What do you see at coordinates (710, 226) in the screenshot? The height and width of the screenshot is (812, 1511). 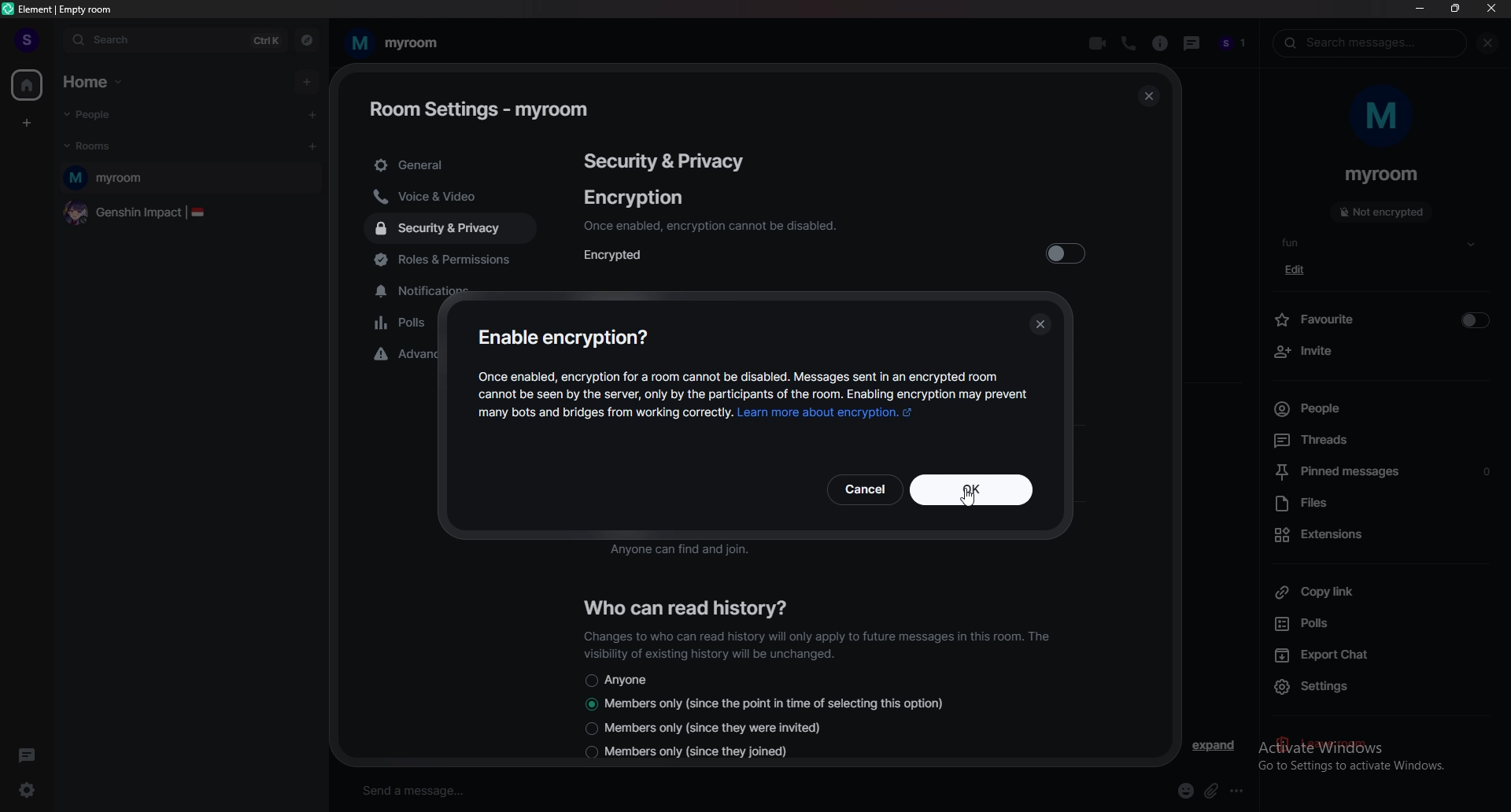 I see `Once enabled, encryption cannot be disabled.` at bounding box center [710, 226].